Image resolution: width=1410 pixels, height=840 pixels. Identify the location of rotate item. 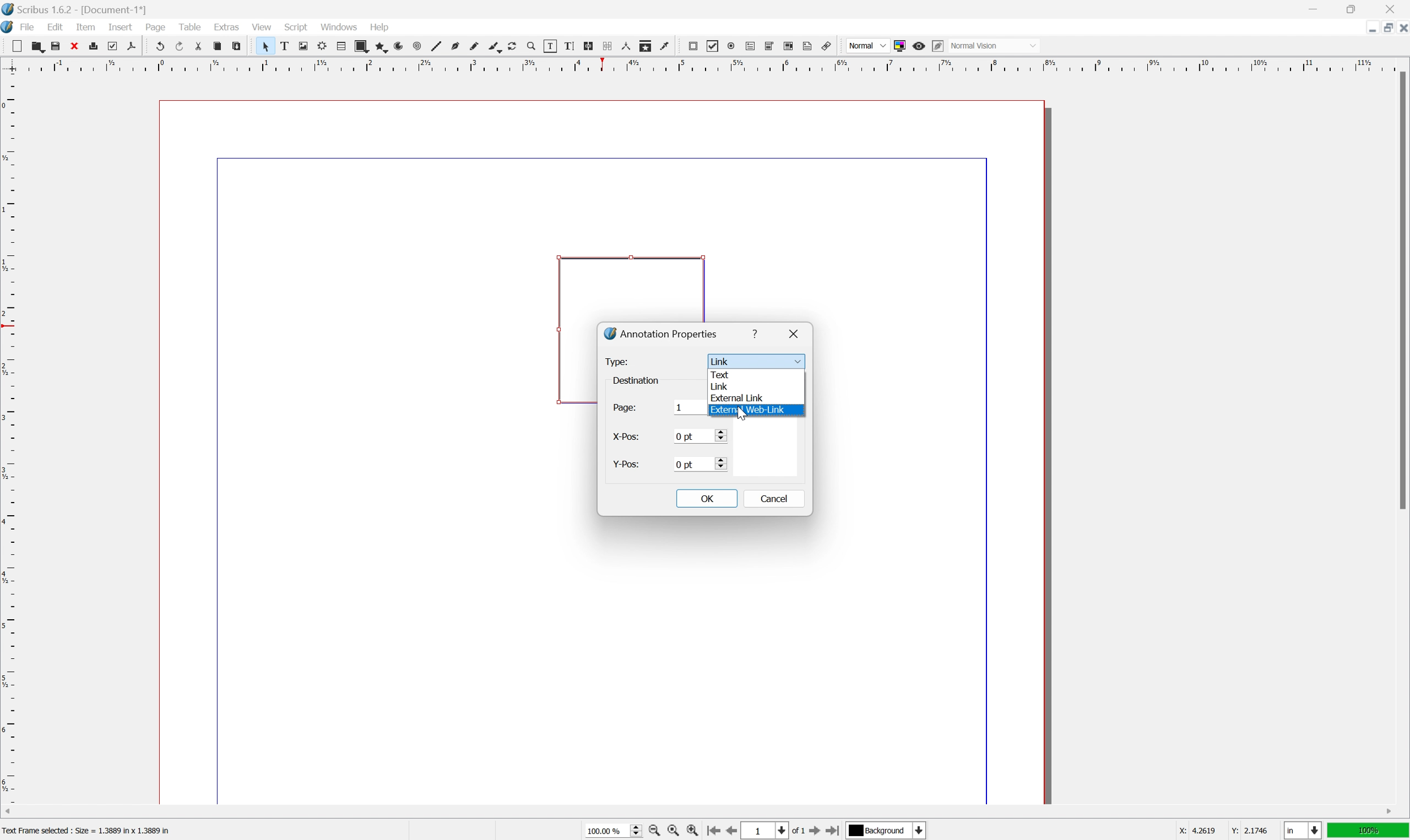
(513, 46).